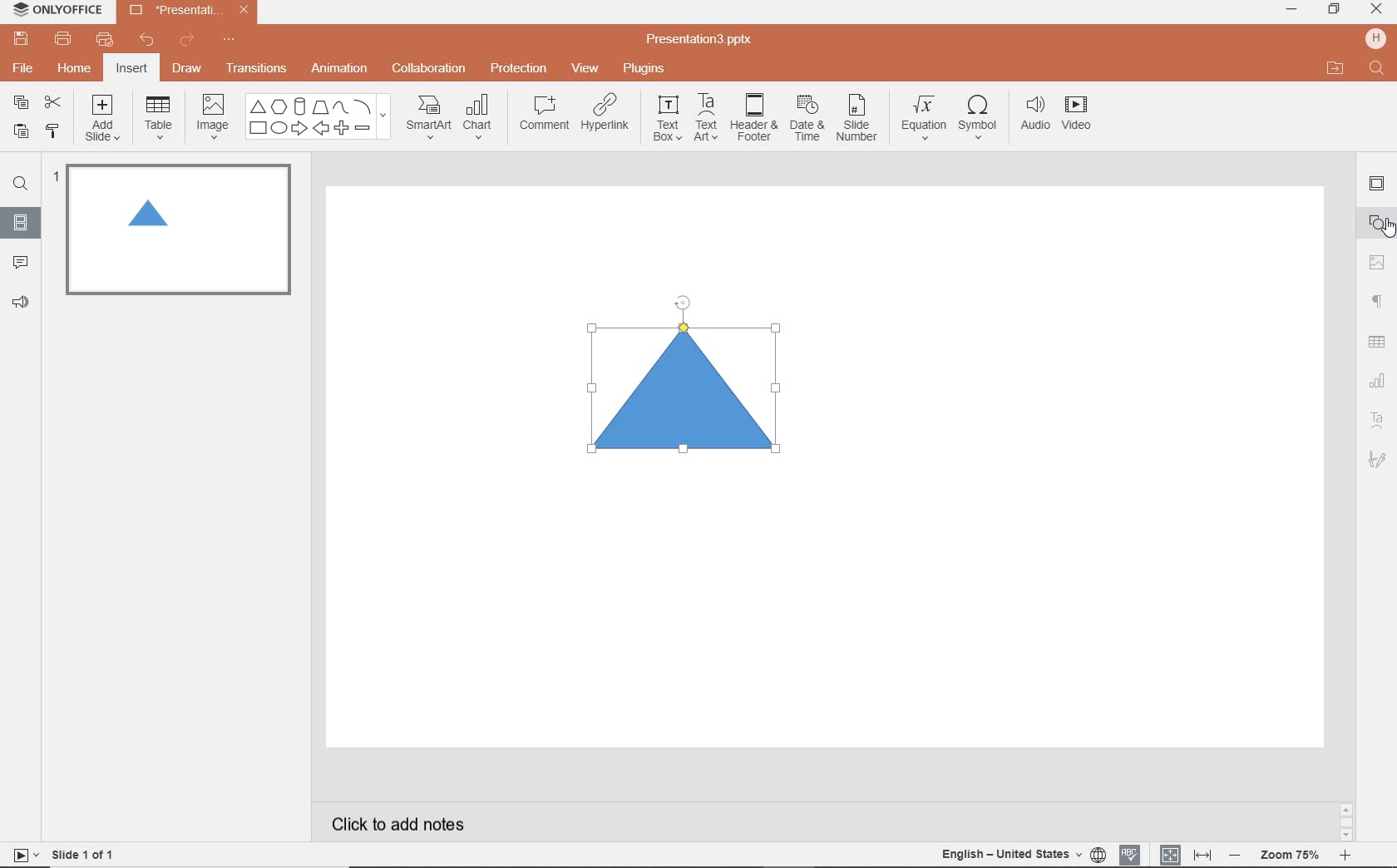 This screenshot has width=1397, height=868. Describe the element at coordinates (1082, 116) in the screenshot. I see `VIDEO` at that location.